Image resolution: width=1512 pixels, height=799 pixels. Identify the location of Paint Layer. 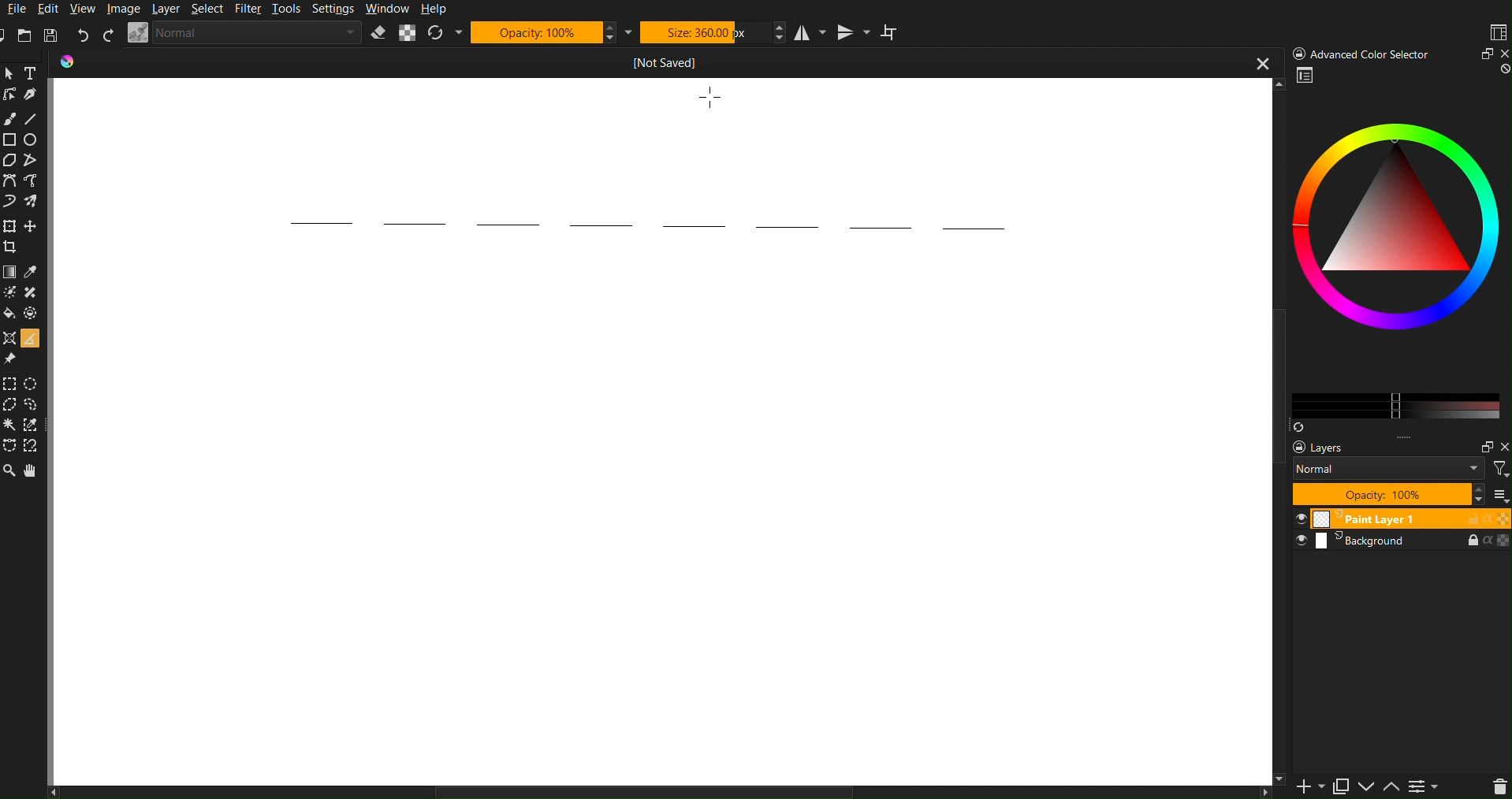
(1402, 519).